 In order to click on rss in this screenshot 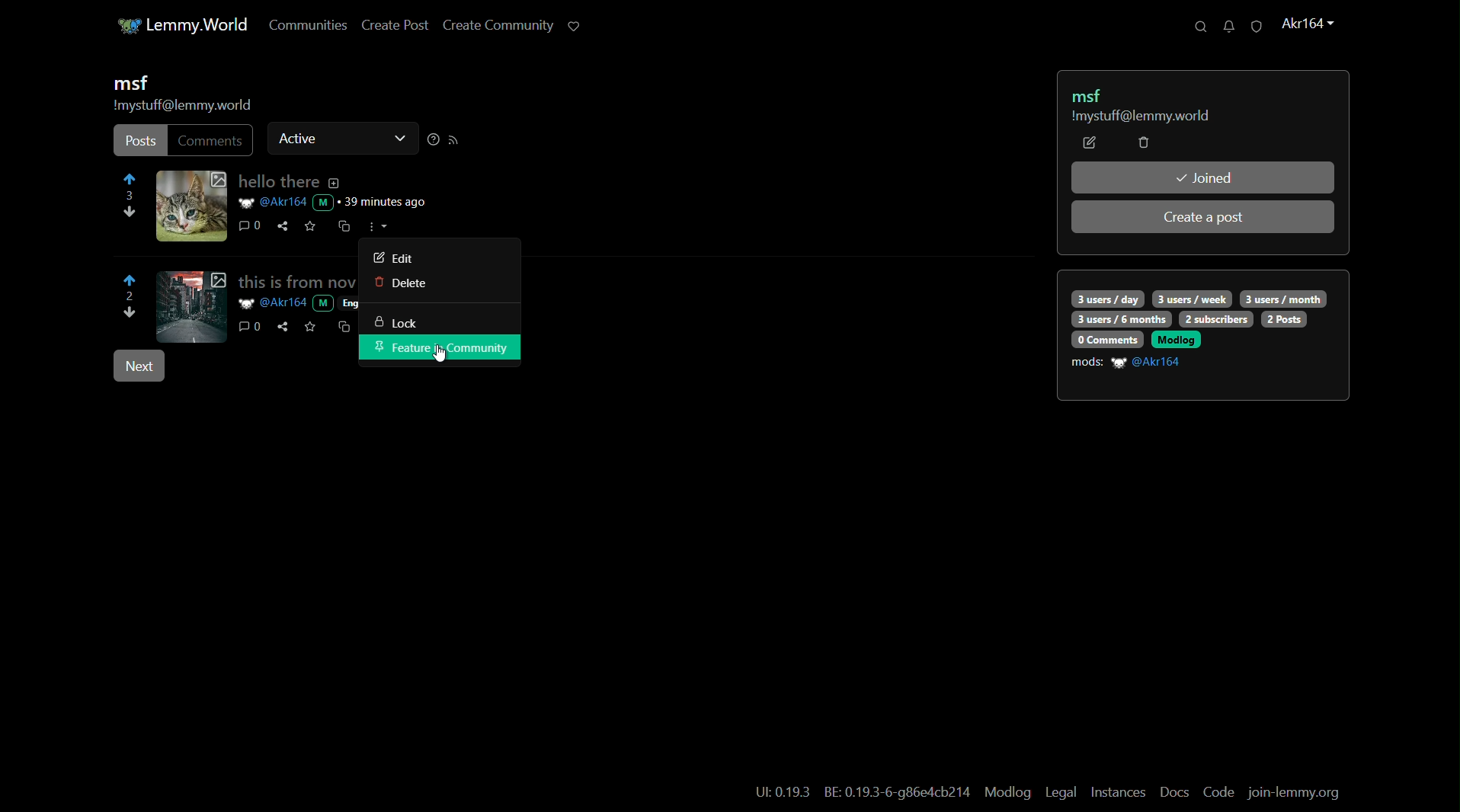, I will do `click(454, 140)`.